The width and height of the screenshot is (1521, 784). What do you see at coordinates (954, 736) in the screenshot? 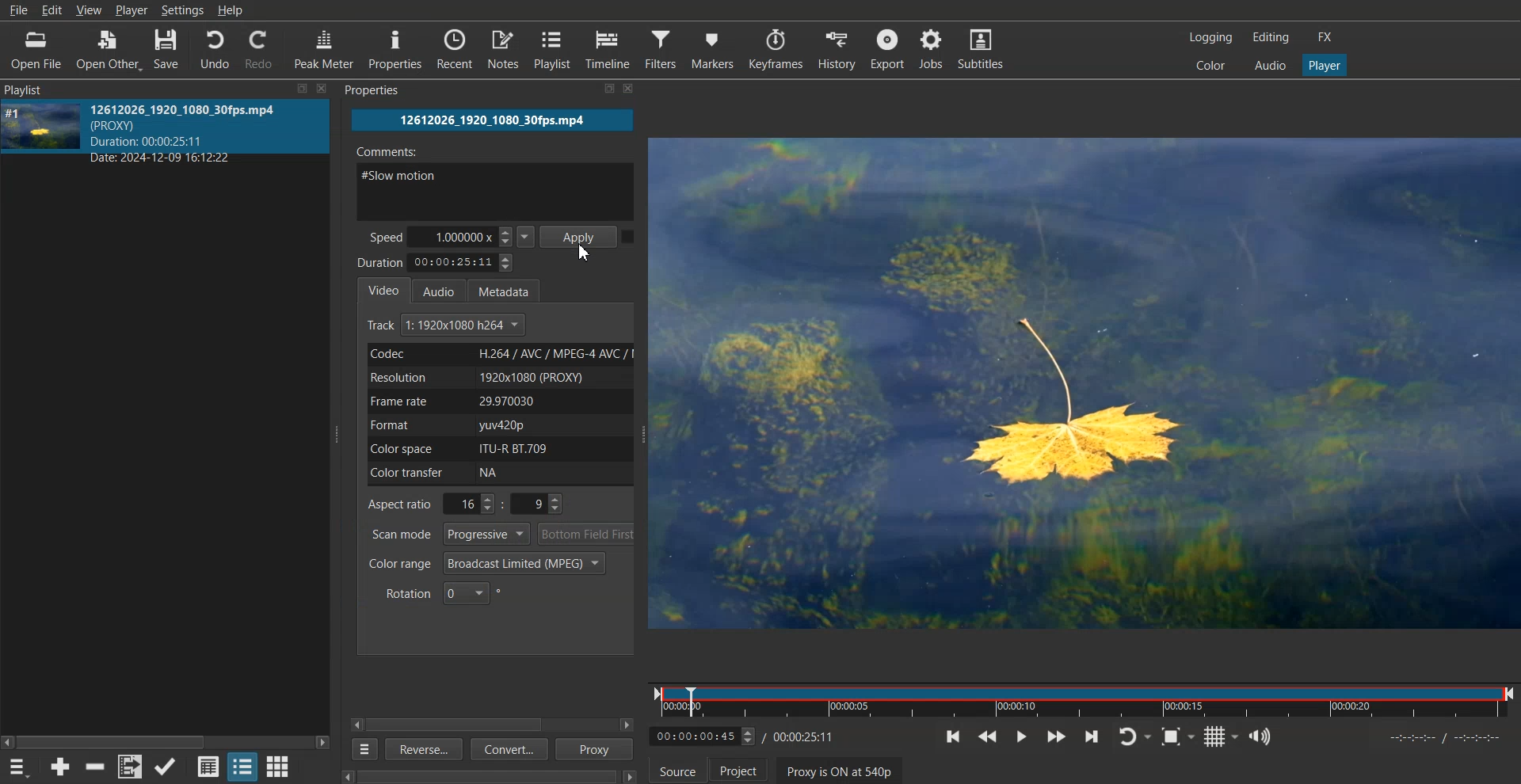
I see `Skip to the previous point` at bounding box center [954, 736].